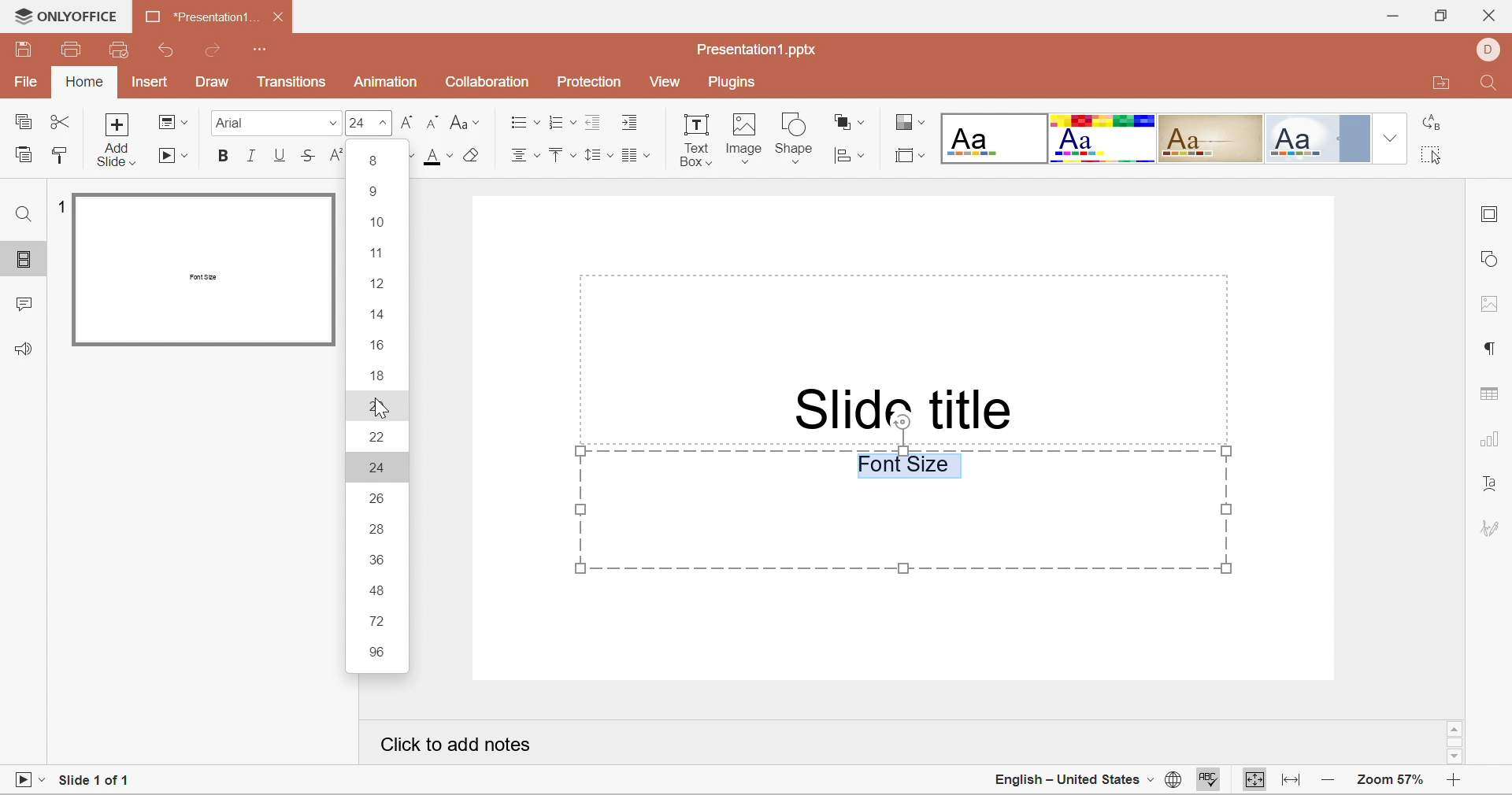  I want to click on Text Box, so click(695, 142).